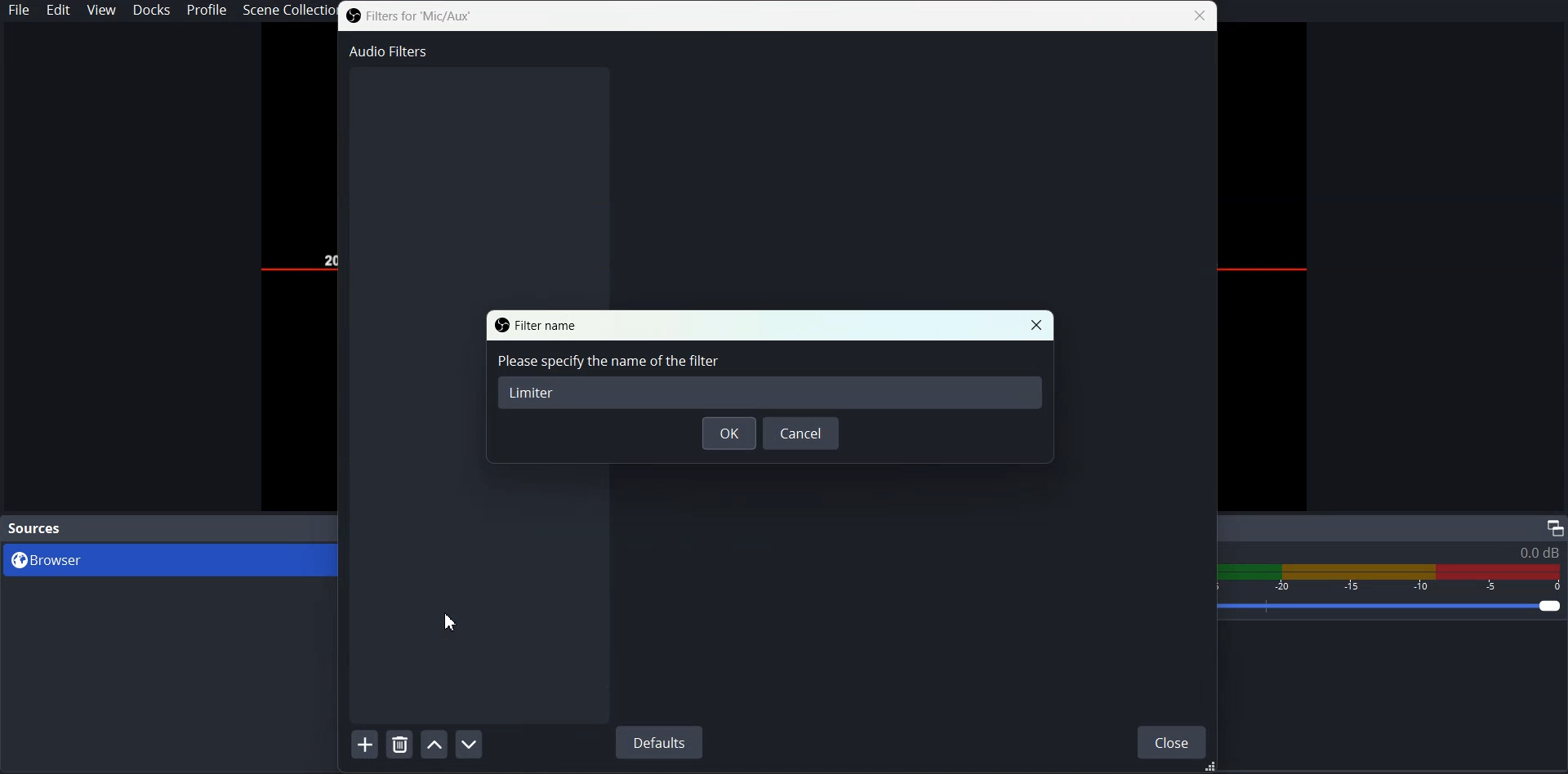 This screenshot has height=774, width=1568. I want to click on Docks, so click(154, 11).